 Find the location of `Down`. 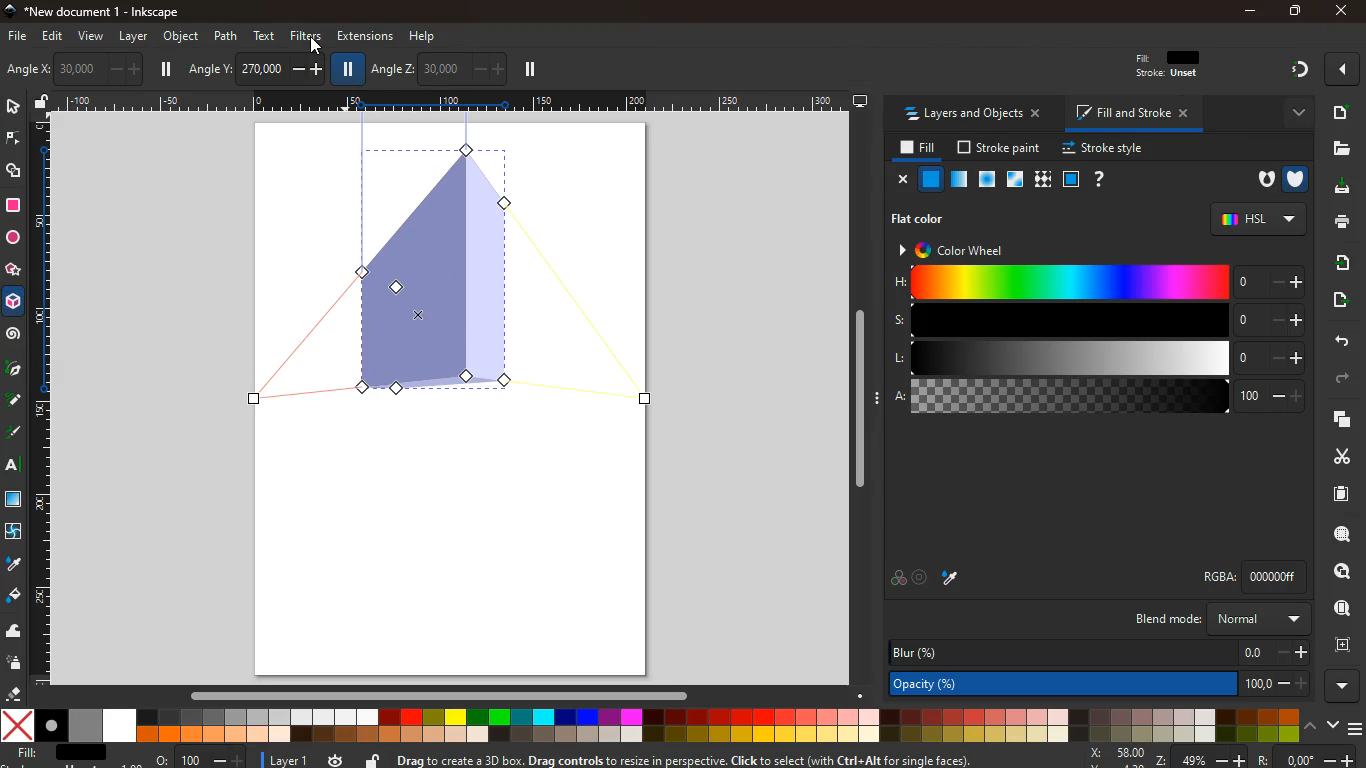

Down is located at coordinates (861, 694).